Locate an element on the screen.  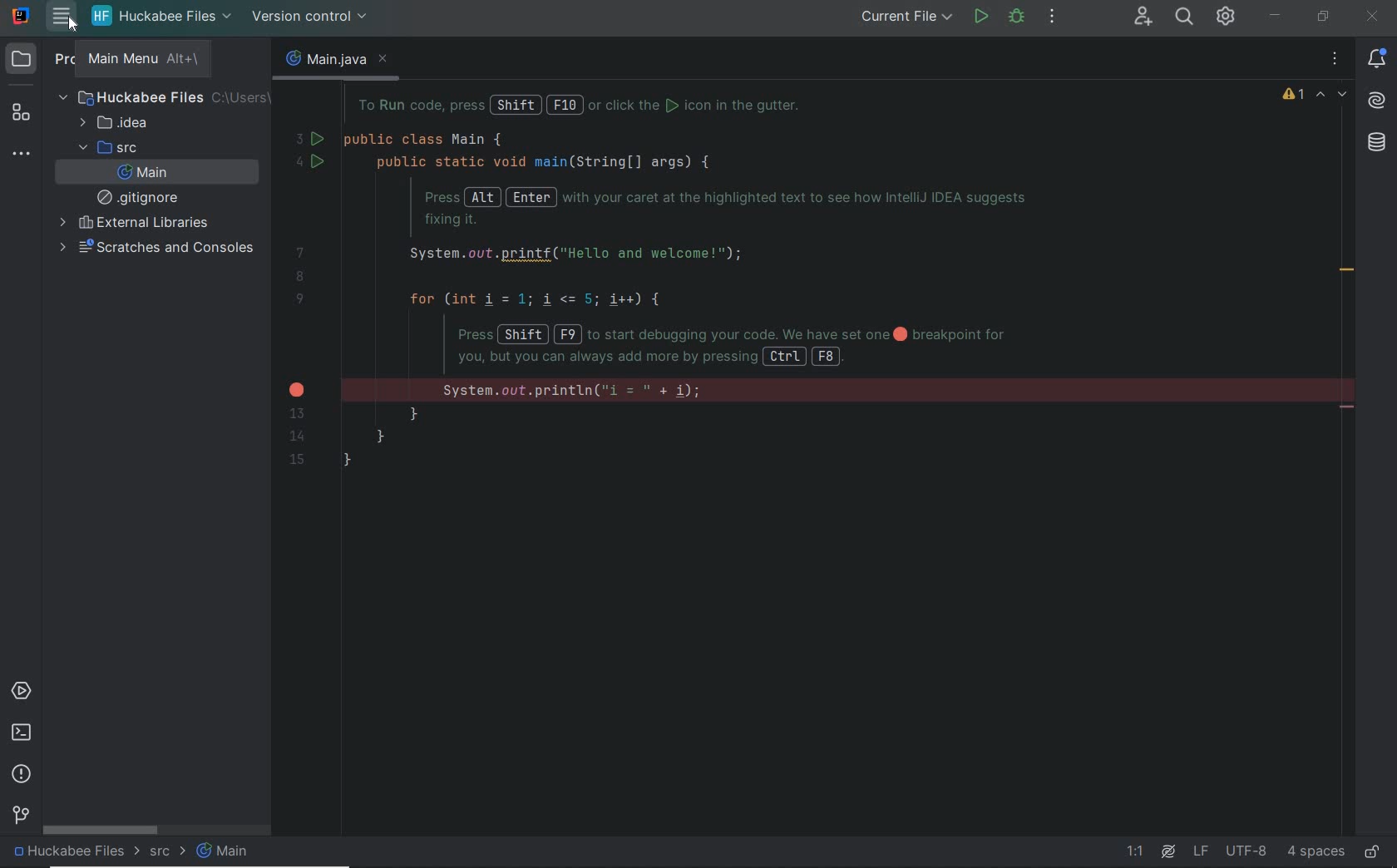
main menu is located at coordinates (145, 57).